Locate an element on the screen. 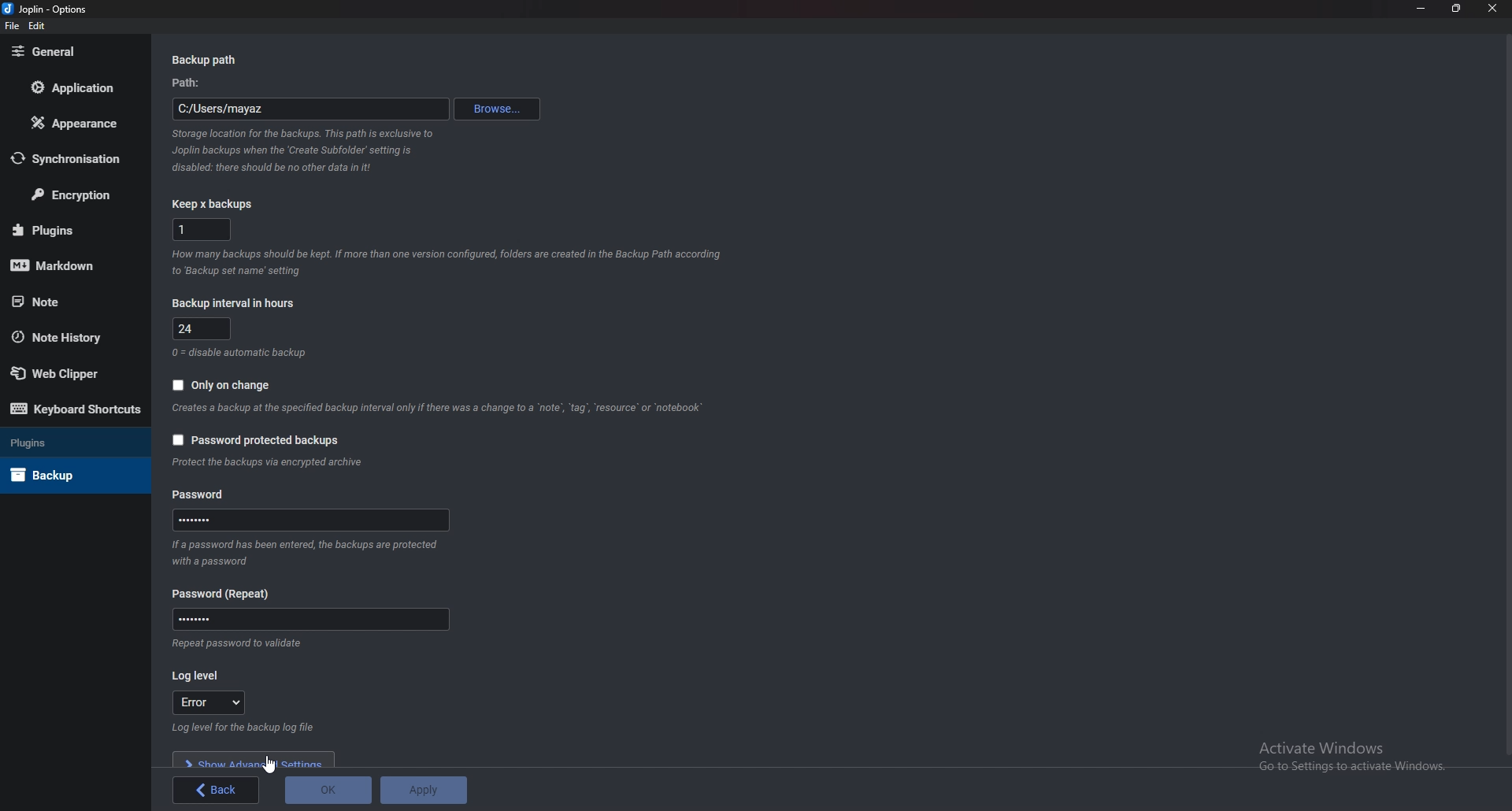  markdown is located at coordinates (69, 264).